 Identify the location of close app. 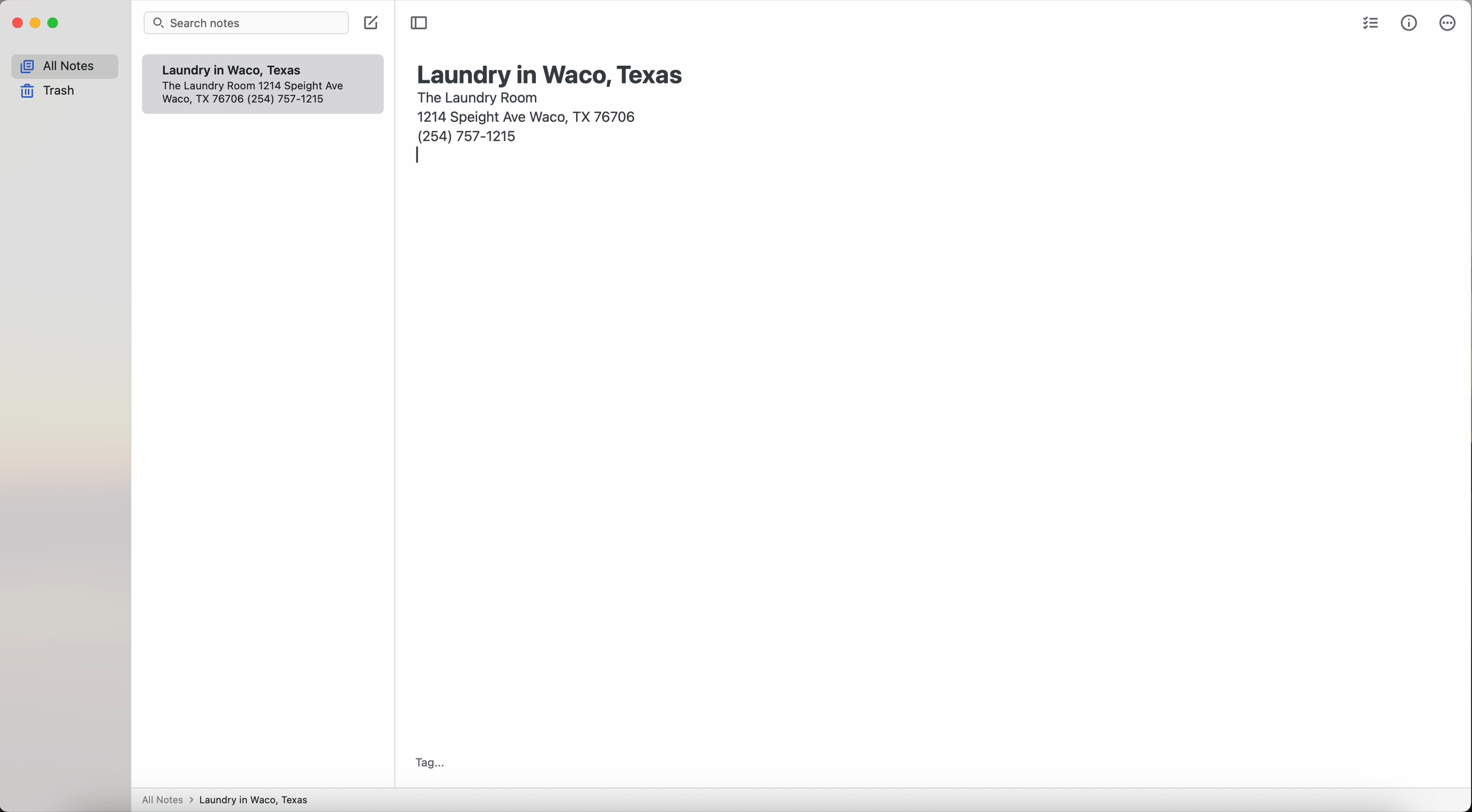
(18, 23).